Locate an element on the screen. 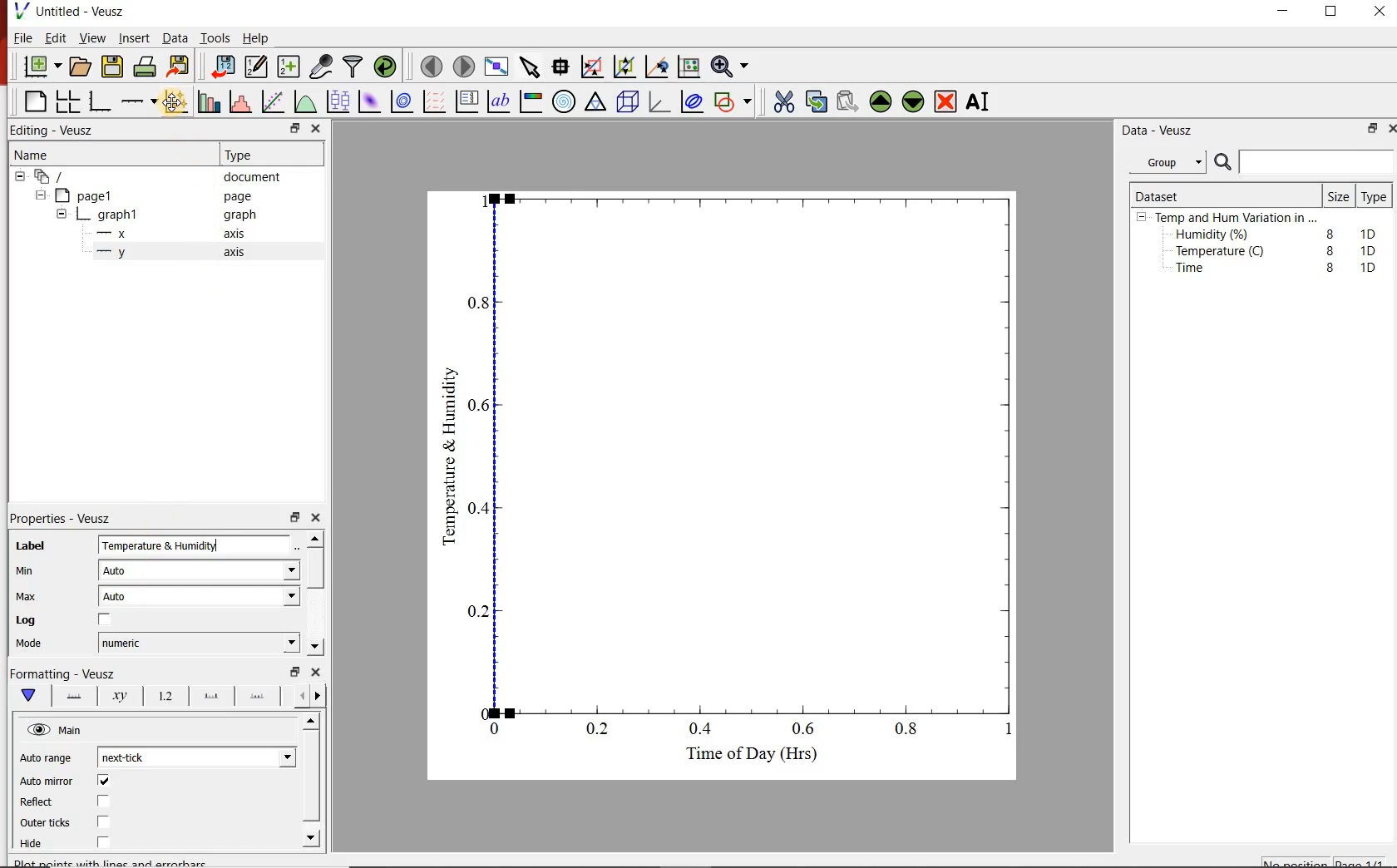 The image size is (1397, 868). close is located at coordinates (317, 128).